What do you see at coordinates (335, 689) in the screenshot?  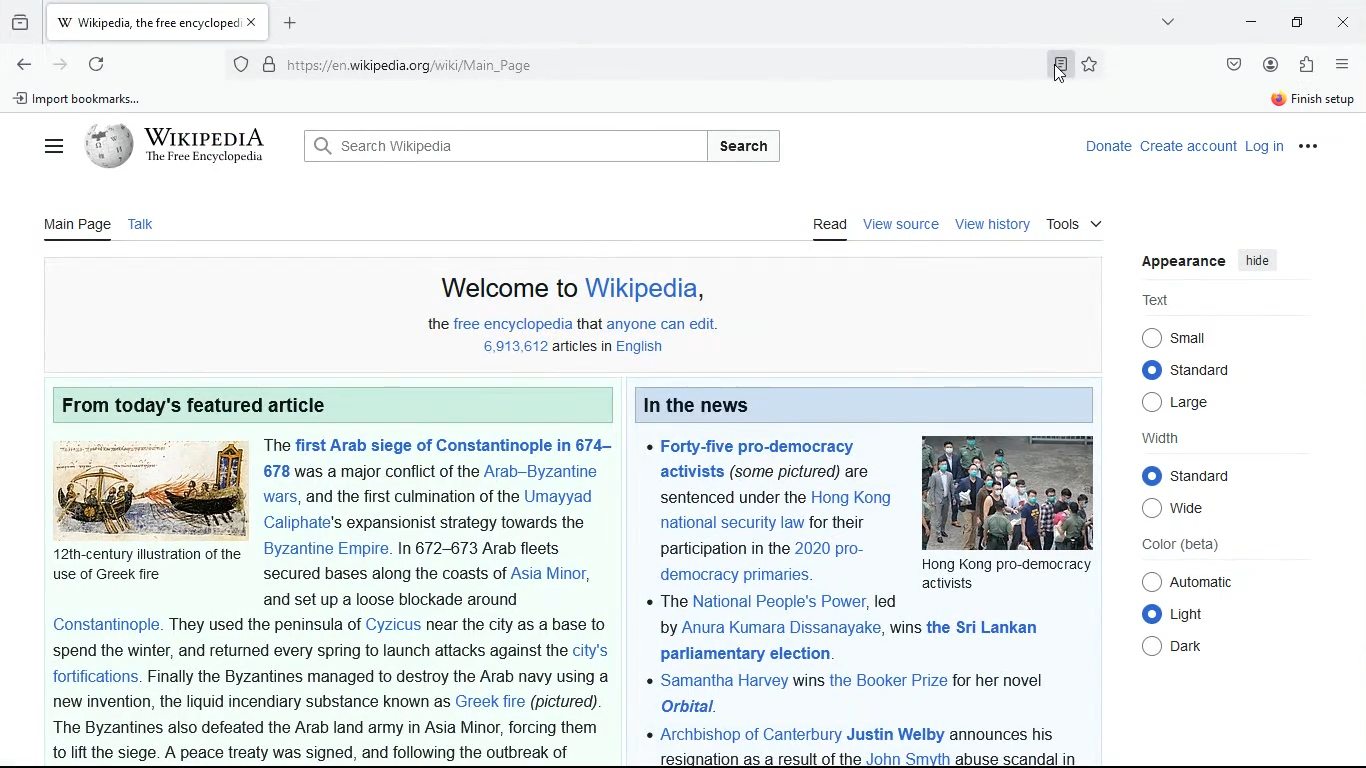 I see `text` at bounding box center [335, 689].